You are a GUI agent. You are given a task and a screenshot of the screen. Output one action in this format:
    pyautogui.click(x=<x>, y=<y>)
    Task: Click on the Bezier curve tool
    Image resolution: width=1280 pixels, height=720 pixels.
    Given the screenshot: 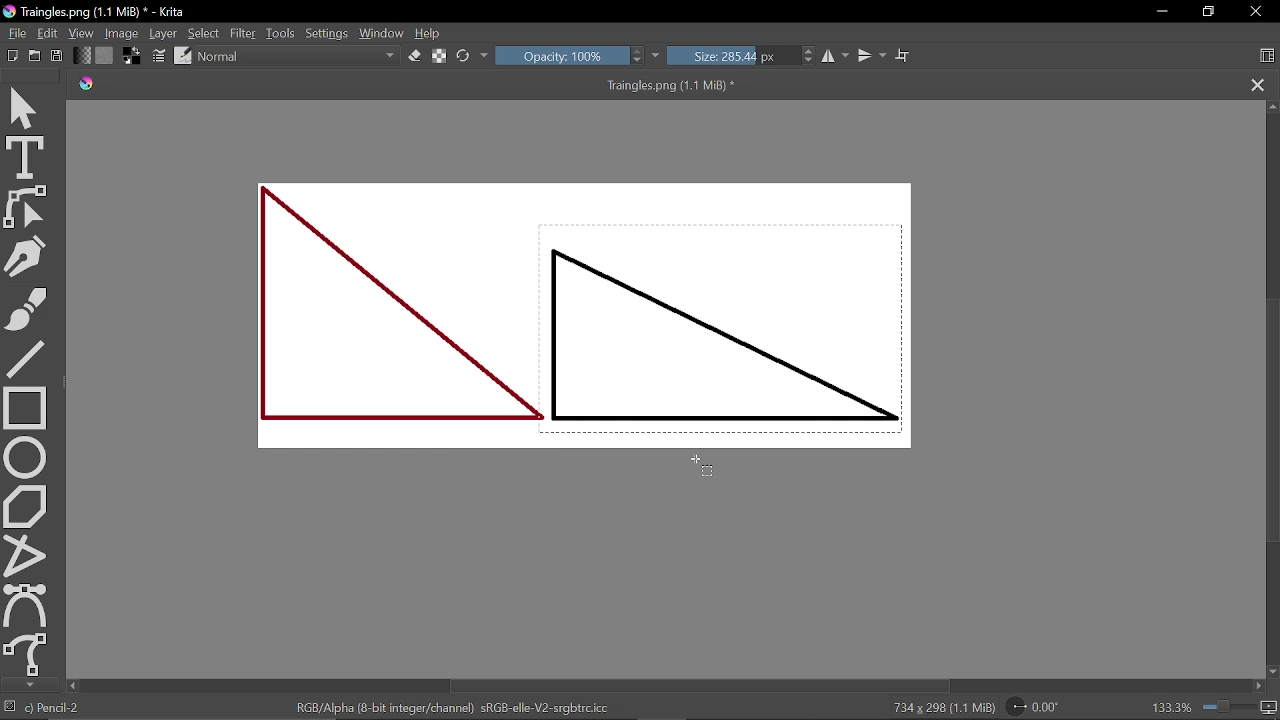 What is the action you would take?
    pyautogui.click(x=26, y=604)
    